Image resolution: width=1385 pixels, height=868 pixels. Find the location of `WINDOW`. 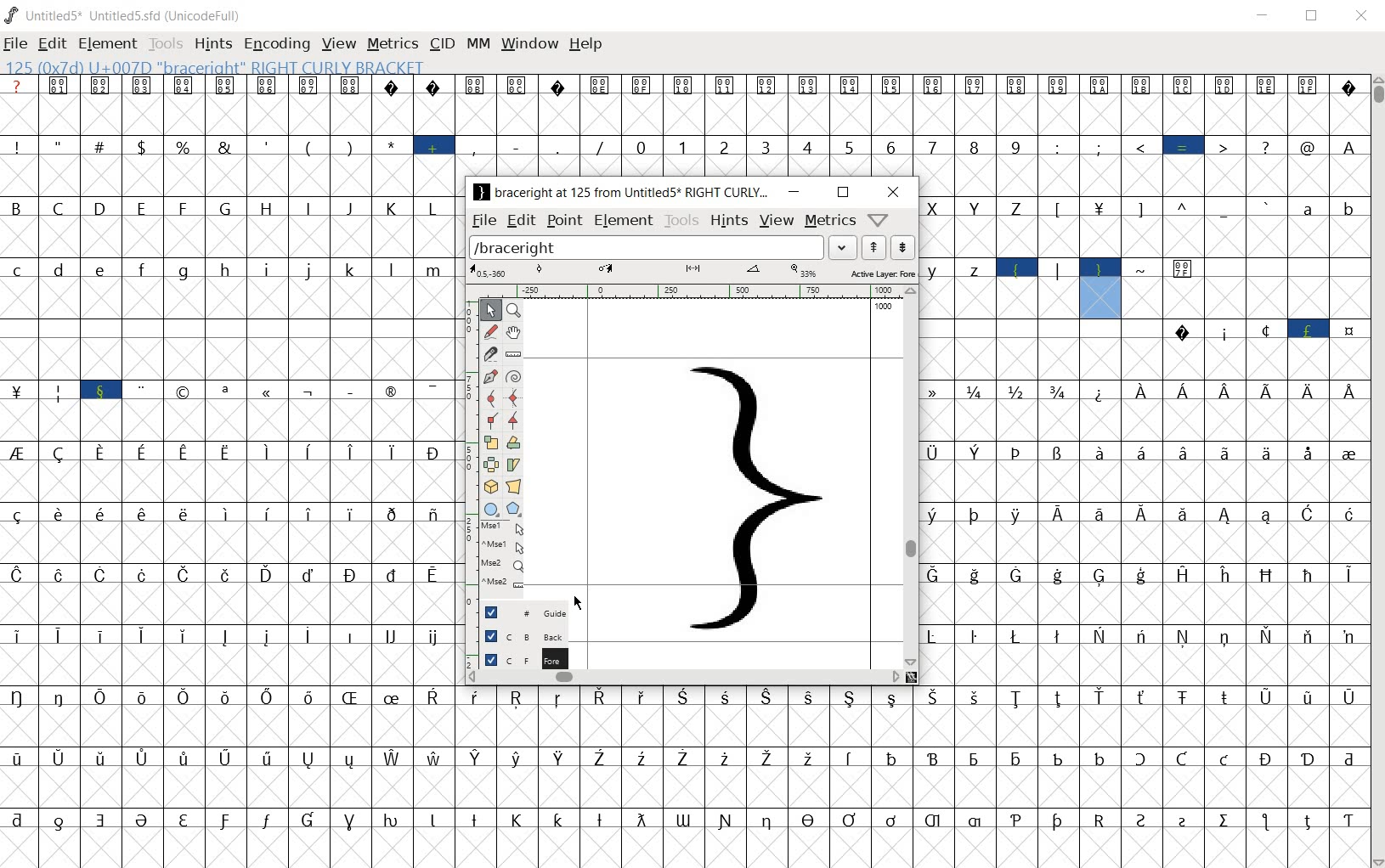

WINDOW is located at coordinates (530, 42).